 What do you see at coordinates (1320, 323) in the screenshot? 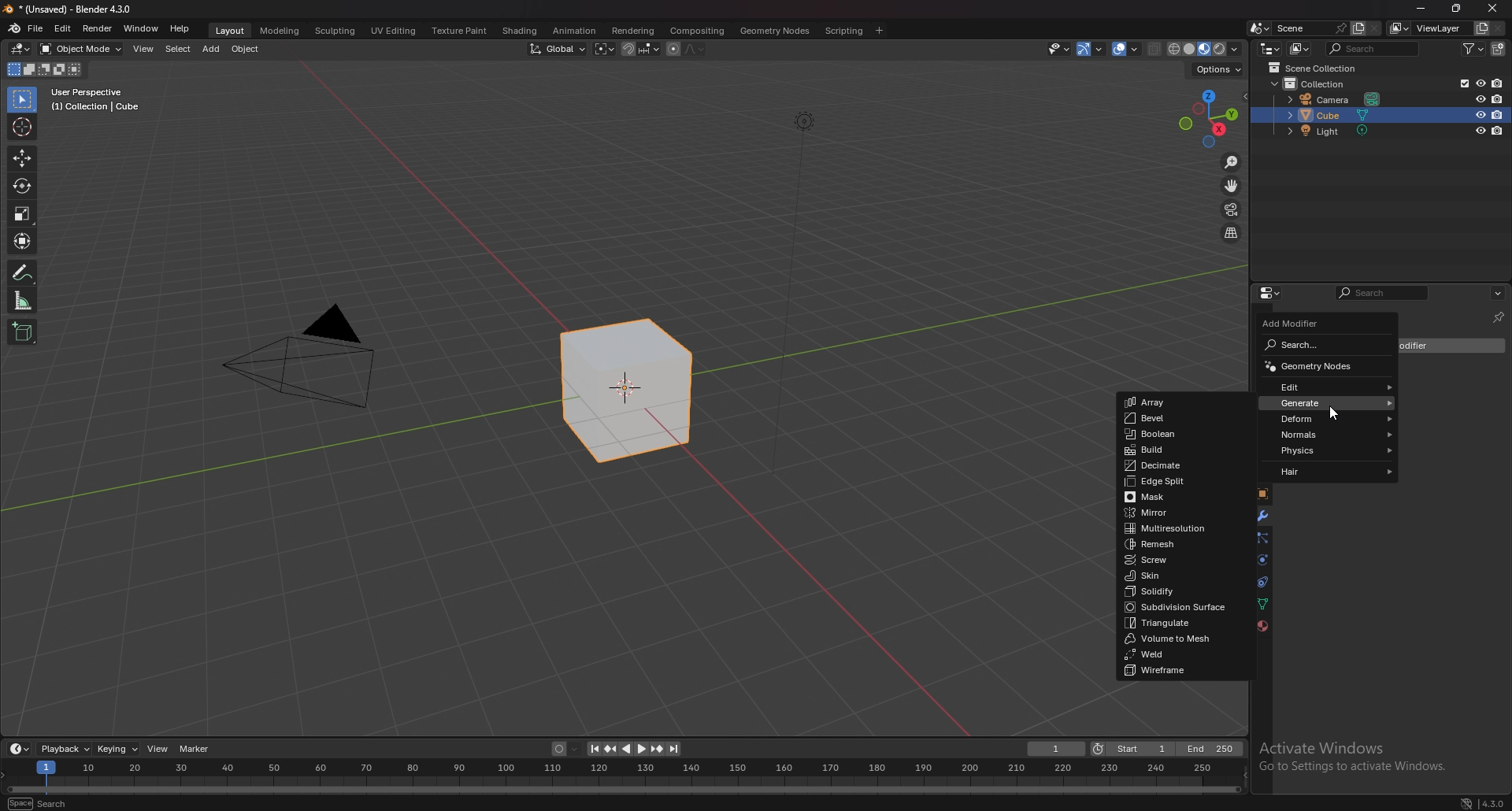
I see `add modifier` at bounding box center [1320, 323].